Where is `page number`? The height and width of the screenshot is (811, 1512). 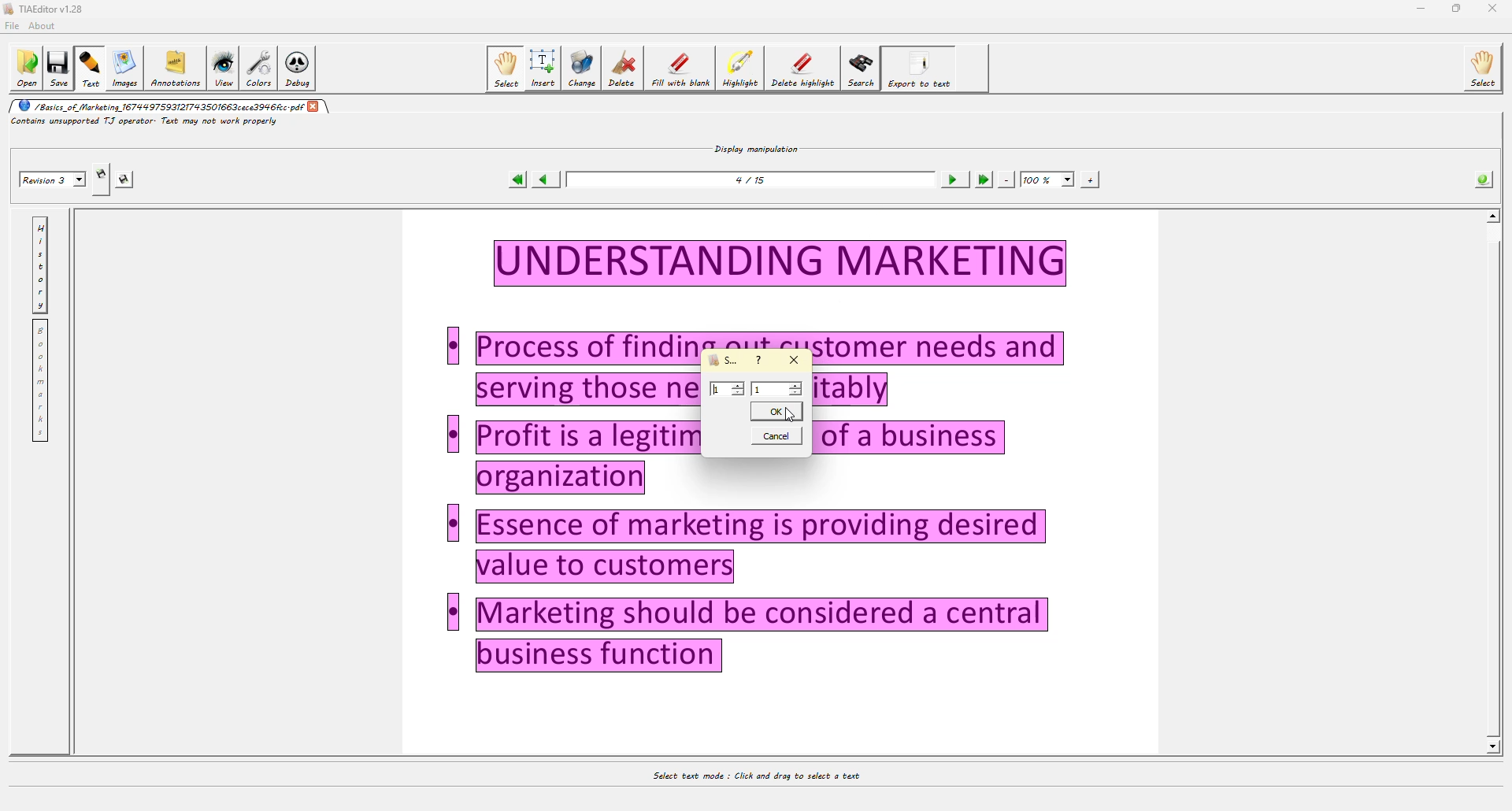 page number is located at coordinates (754, 180).